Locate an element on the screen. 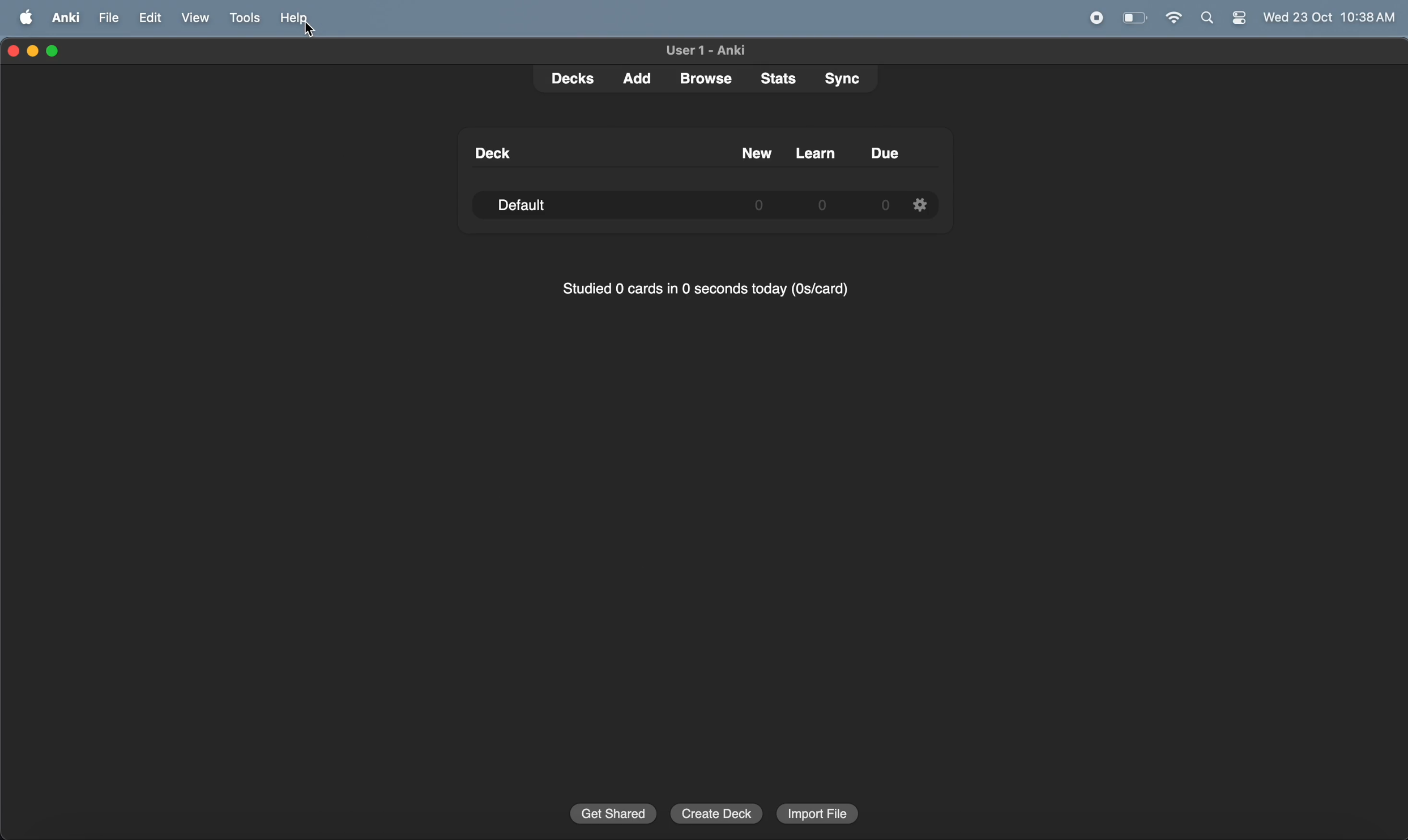 This screenshot has height=840, width=1408. stats is located at coordinates (772, 78).